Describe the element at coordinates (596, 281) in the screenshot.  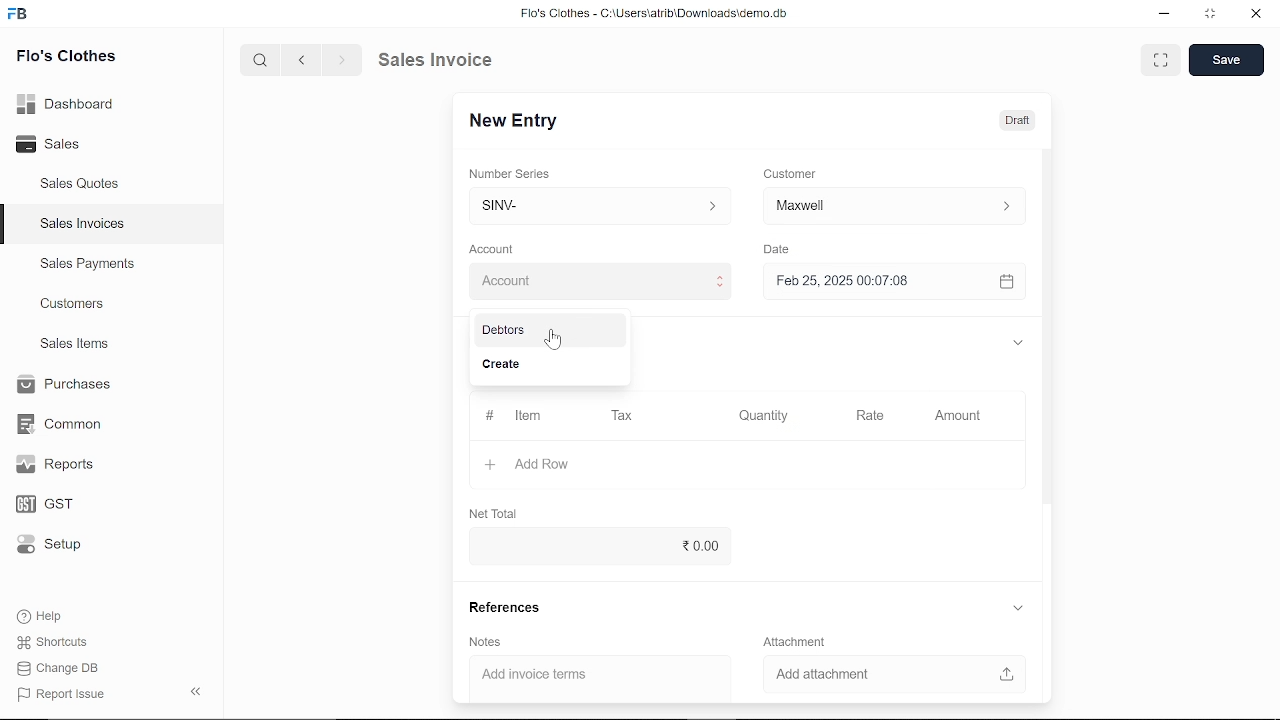
I see `Insert Account ` at that location.